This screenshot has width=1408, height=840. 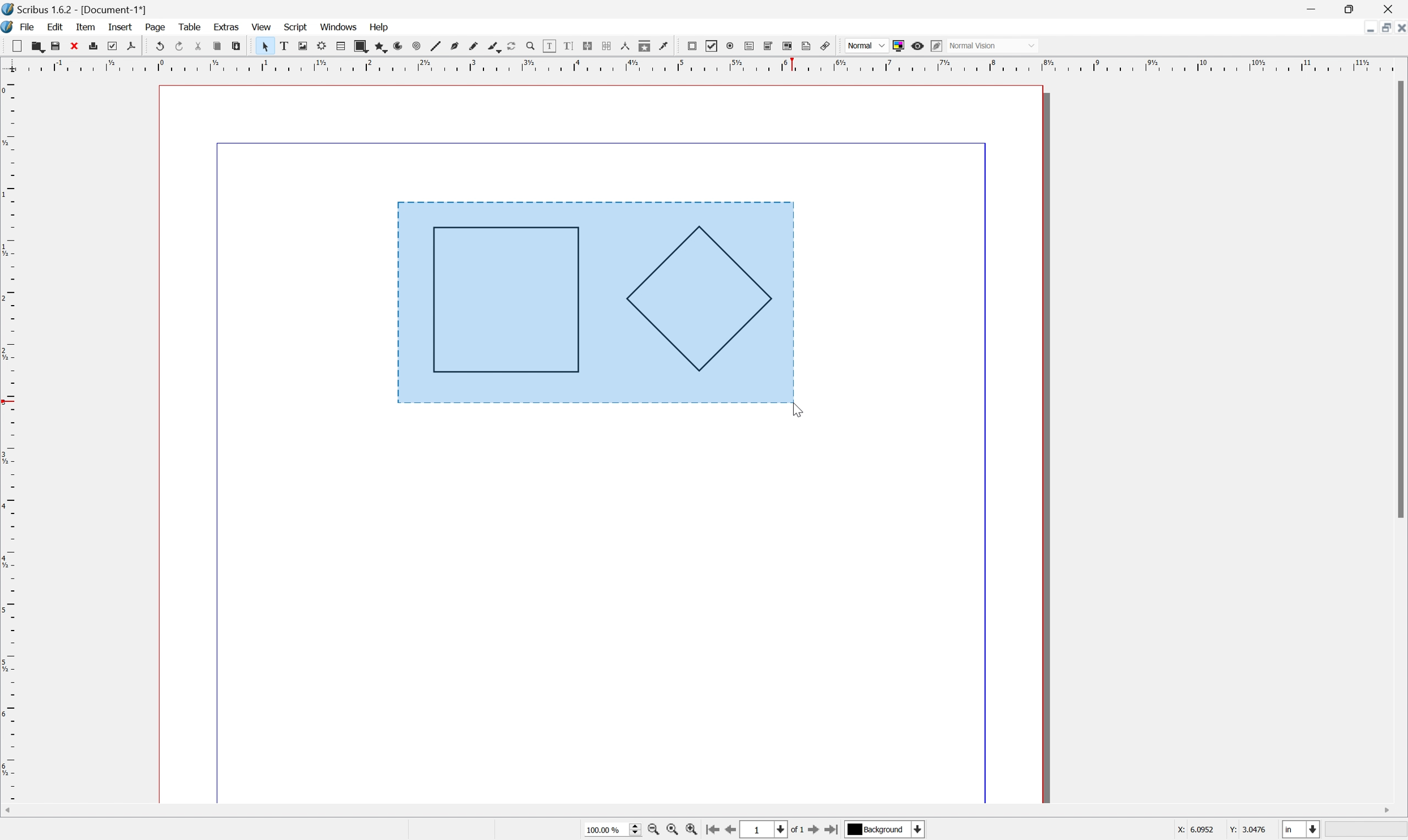 I want to click on preflight verifier, so click(x=110, y=42).